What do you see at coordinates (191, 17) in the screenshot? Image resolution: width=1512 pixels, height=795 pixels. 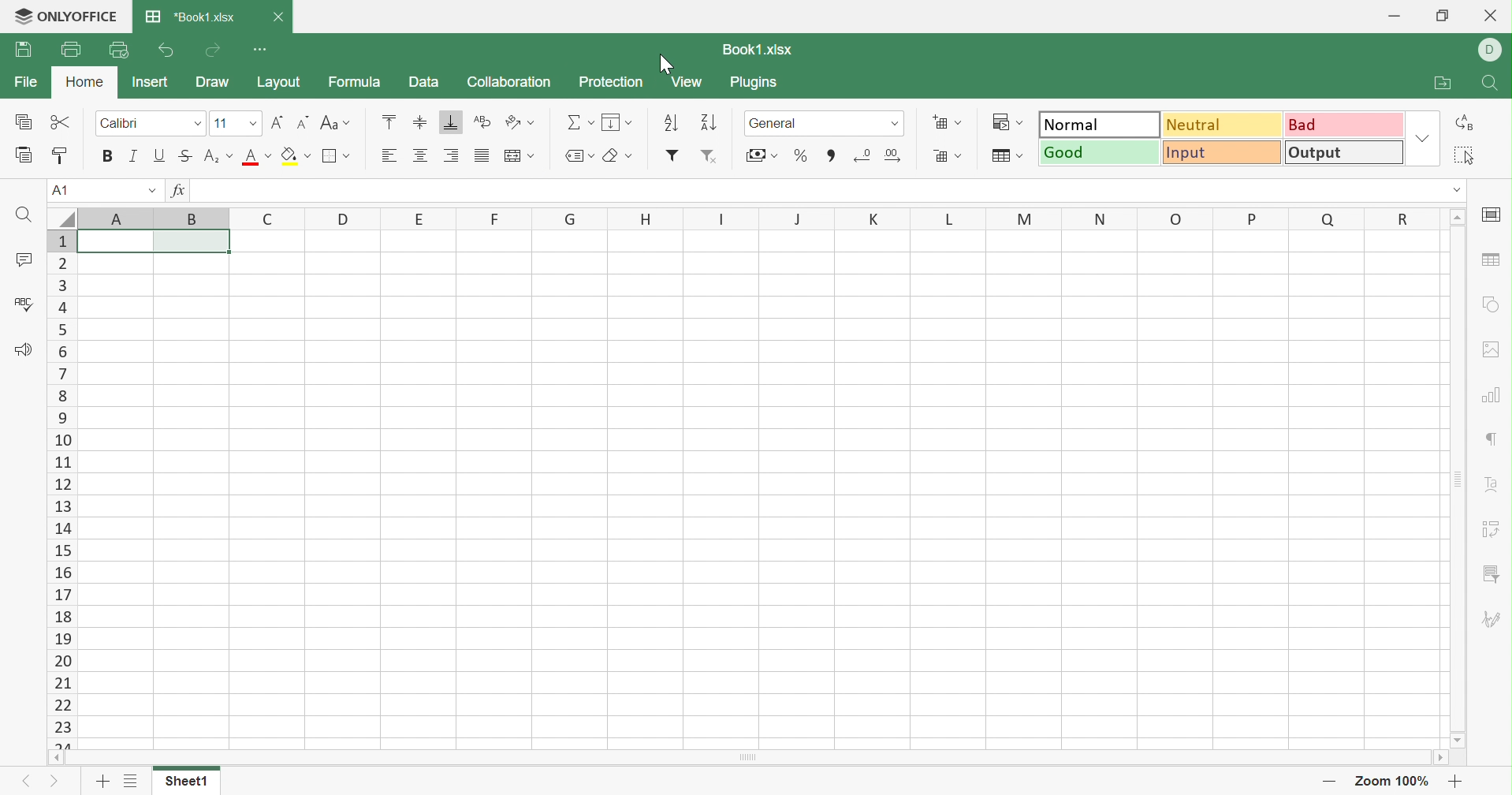 I see `*Book1.xlsx` at bounding box center [191, 17].